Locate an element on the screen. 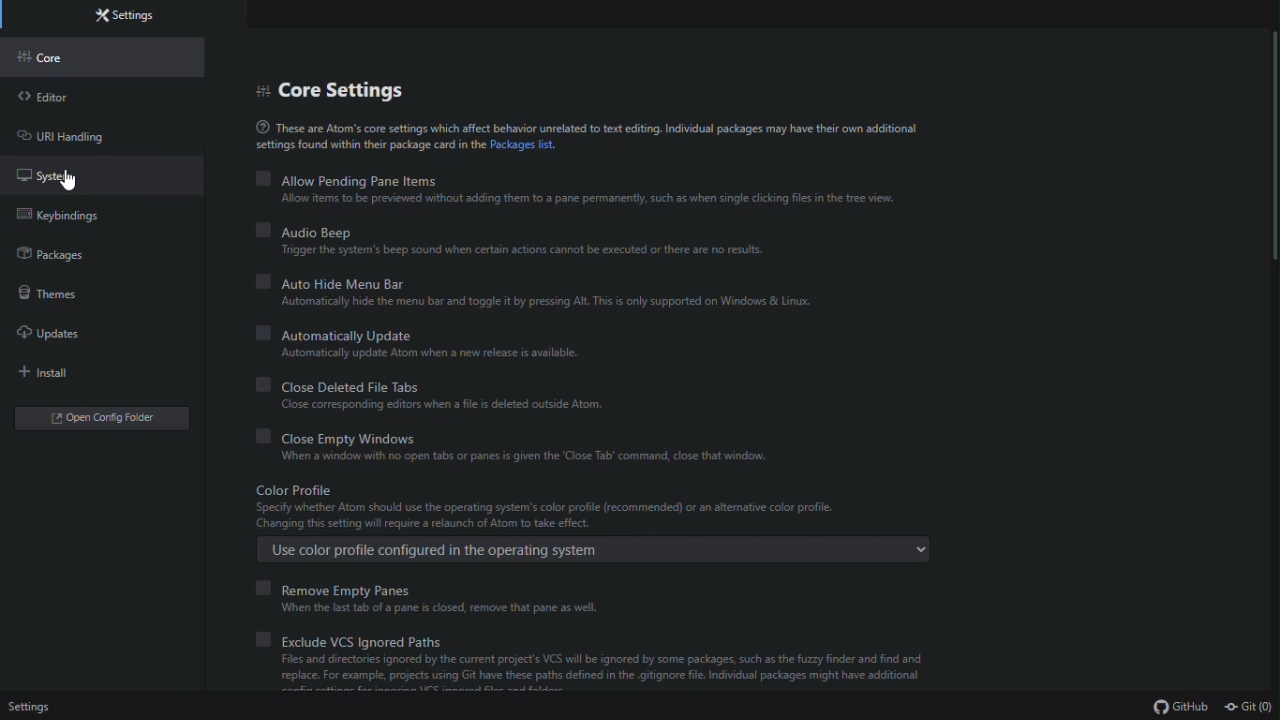 The width and height of the screenshot is (1280, 720). When the last tab of a pane is closed, remove that pane as well. is located at coordinates (424, 609).